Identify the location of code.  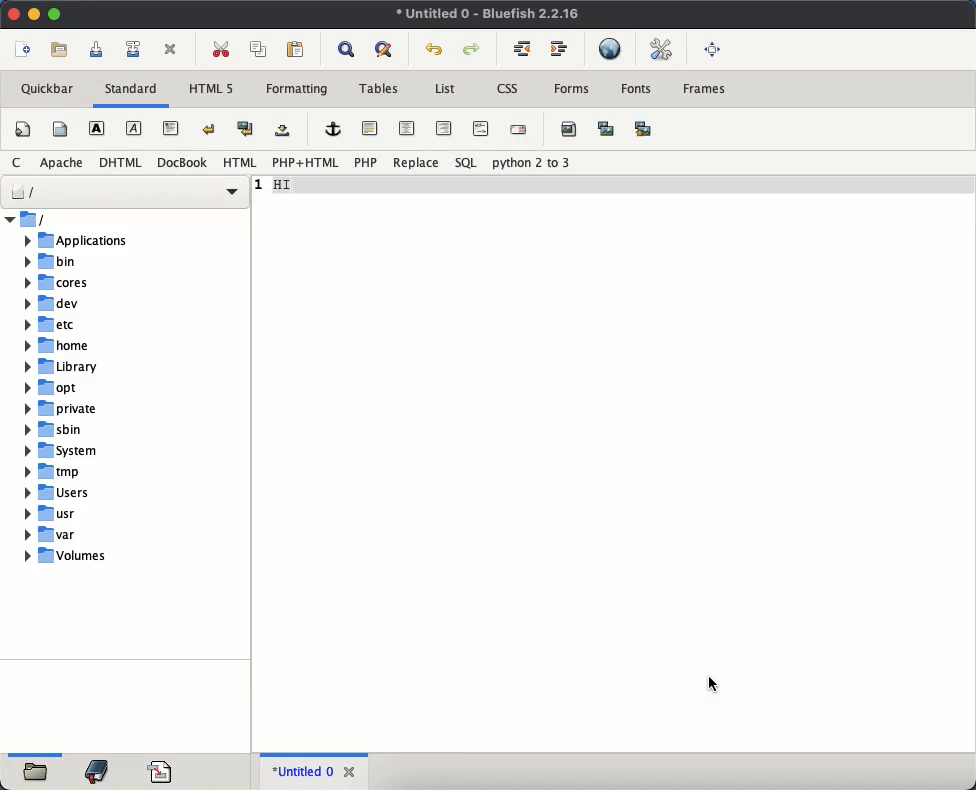
(160, 770).